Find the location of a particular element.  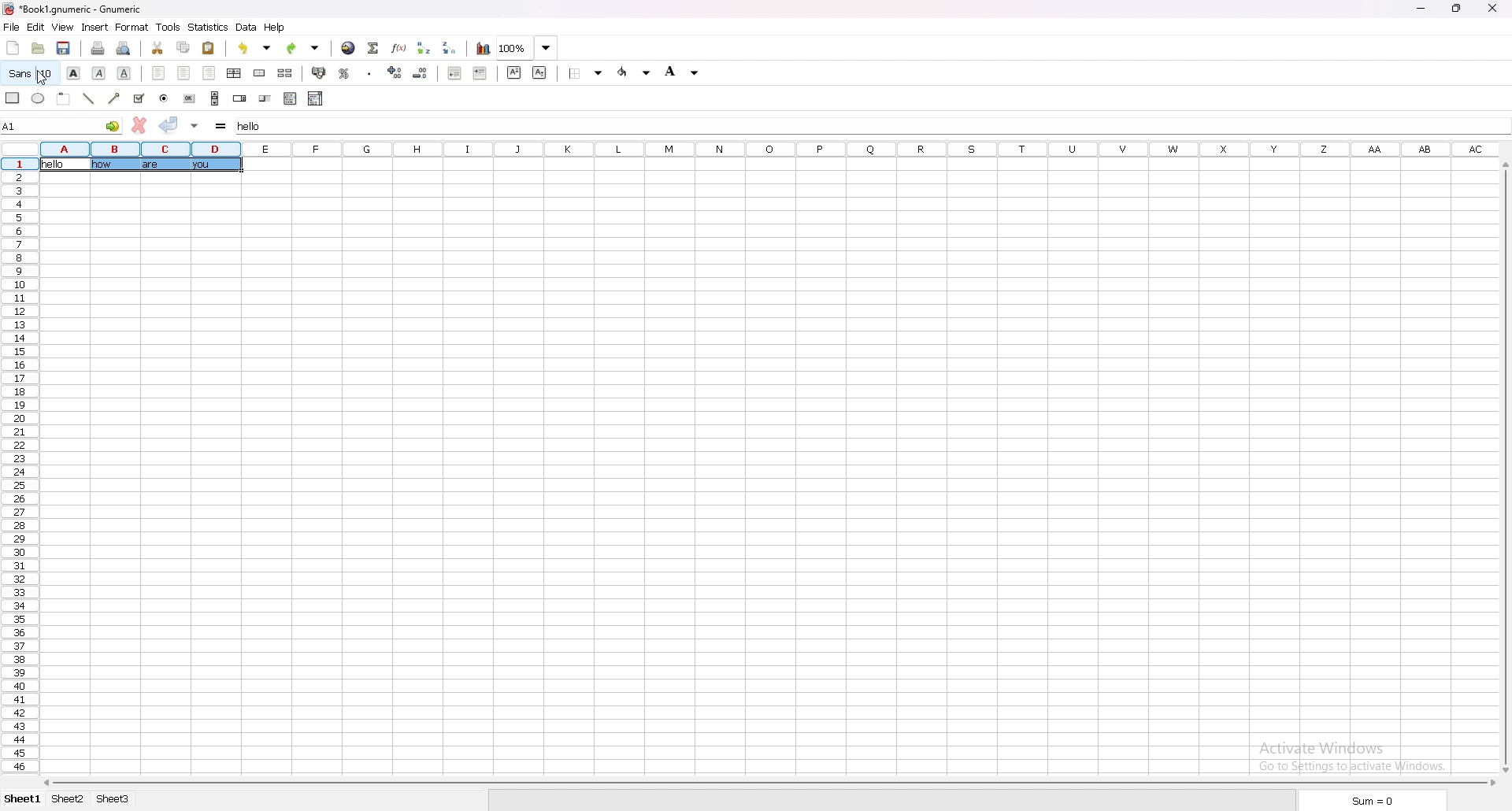

selected cell input is located at coordinates (260, 125).